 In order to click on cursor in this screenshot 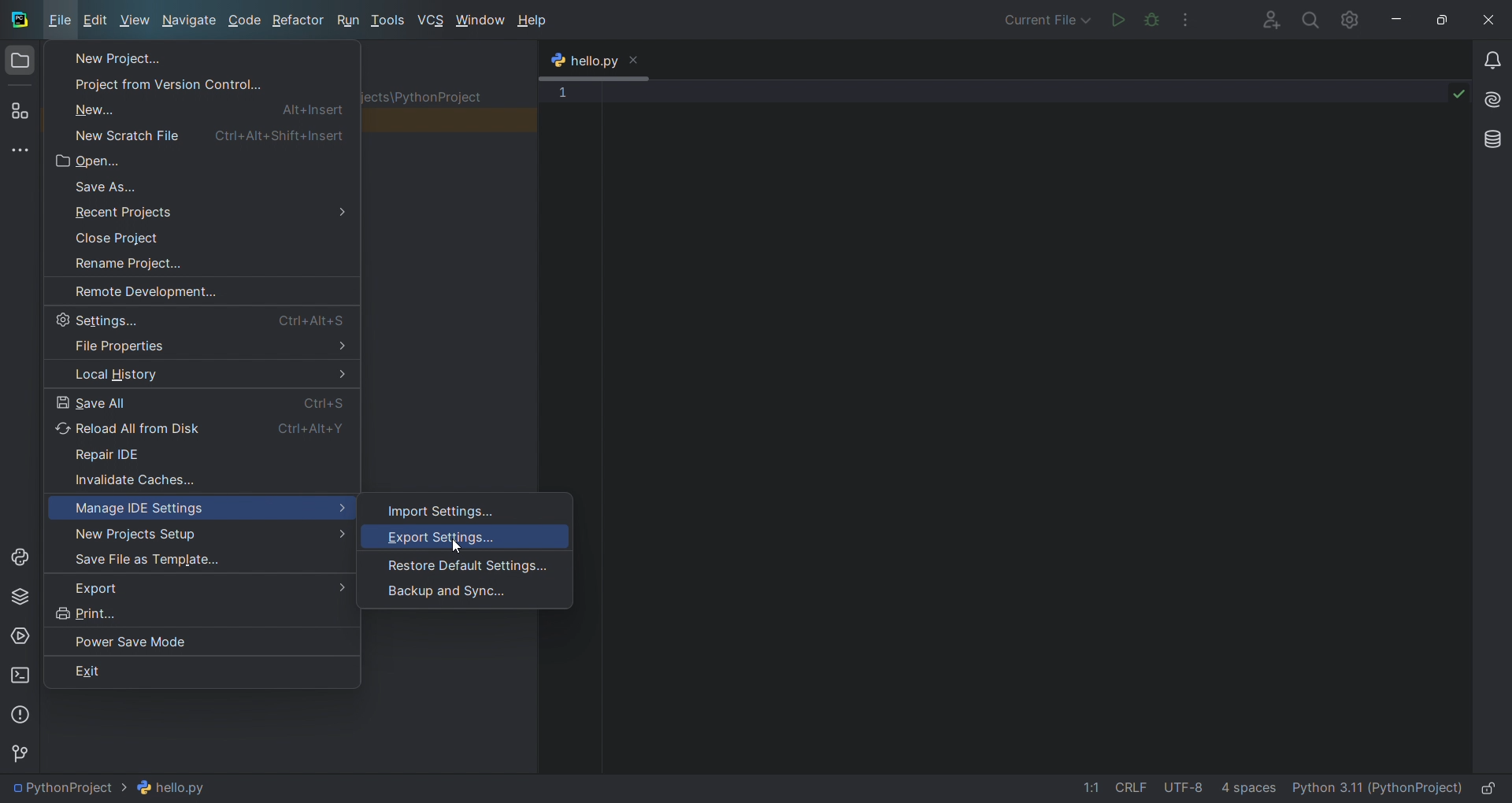, I will do `click(459, 544)`.